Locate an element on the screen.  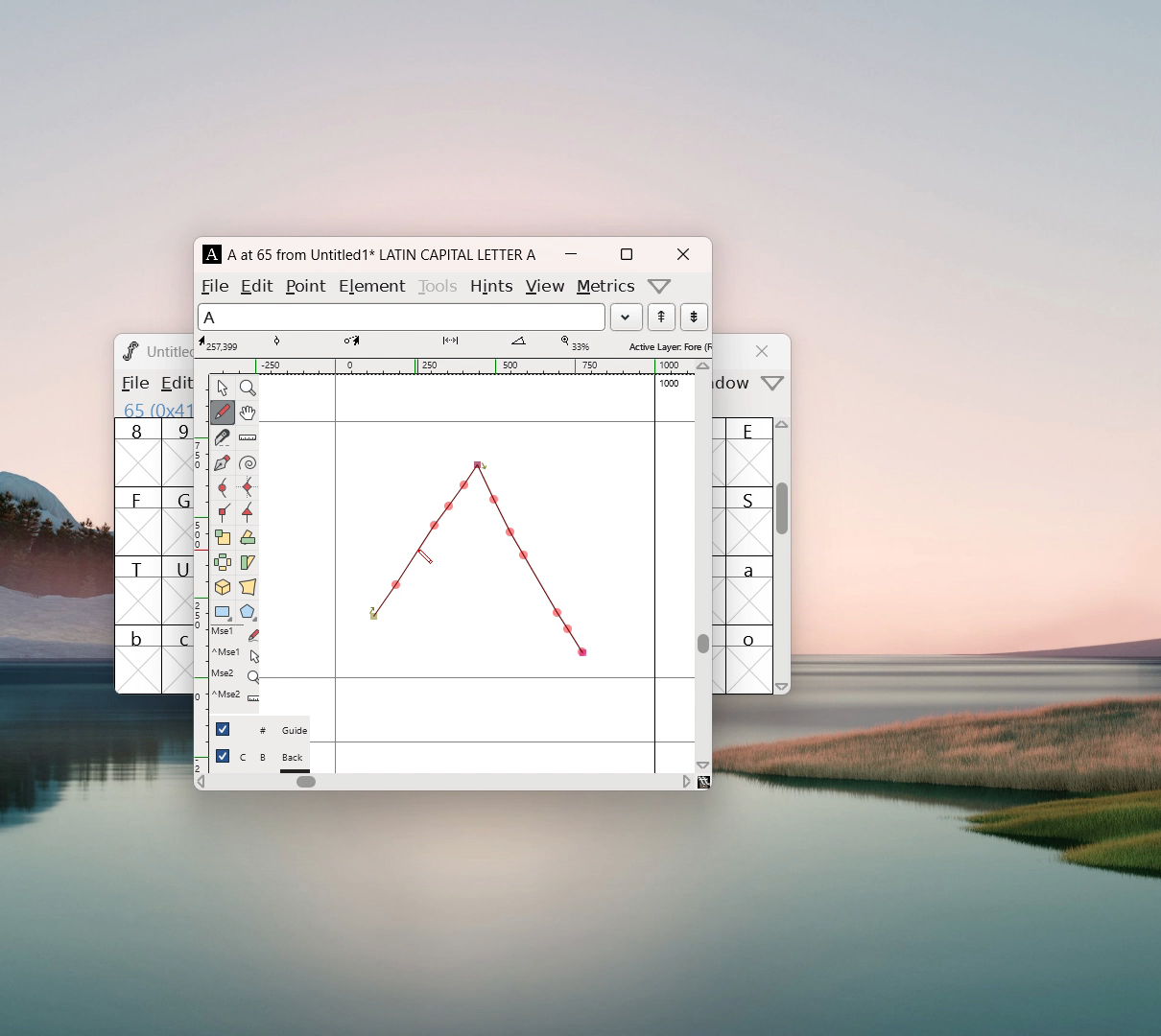
cut splines in two is located at coordinates (223, 439).